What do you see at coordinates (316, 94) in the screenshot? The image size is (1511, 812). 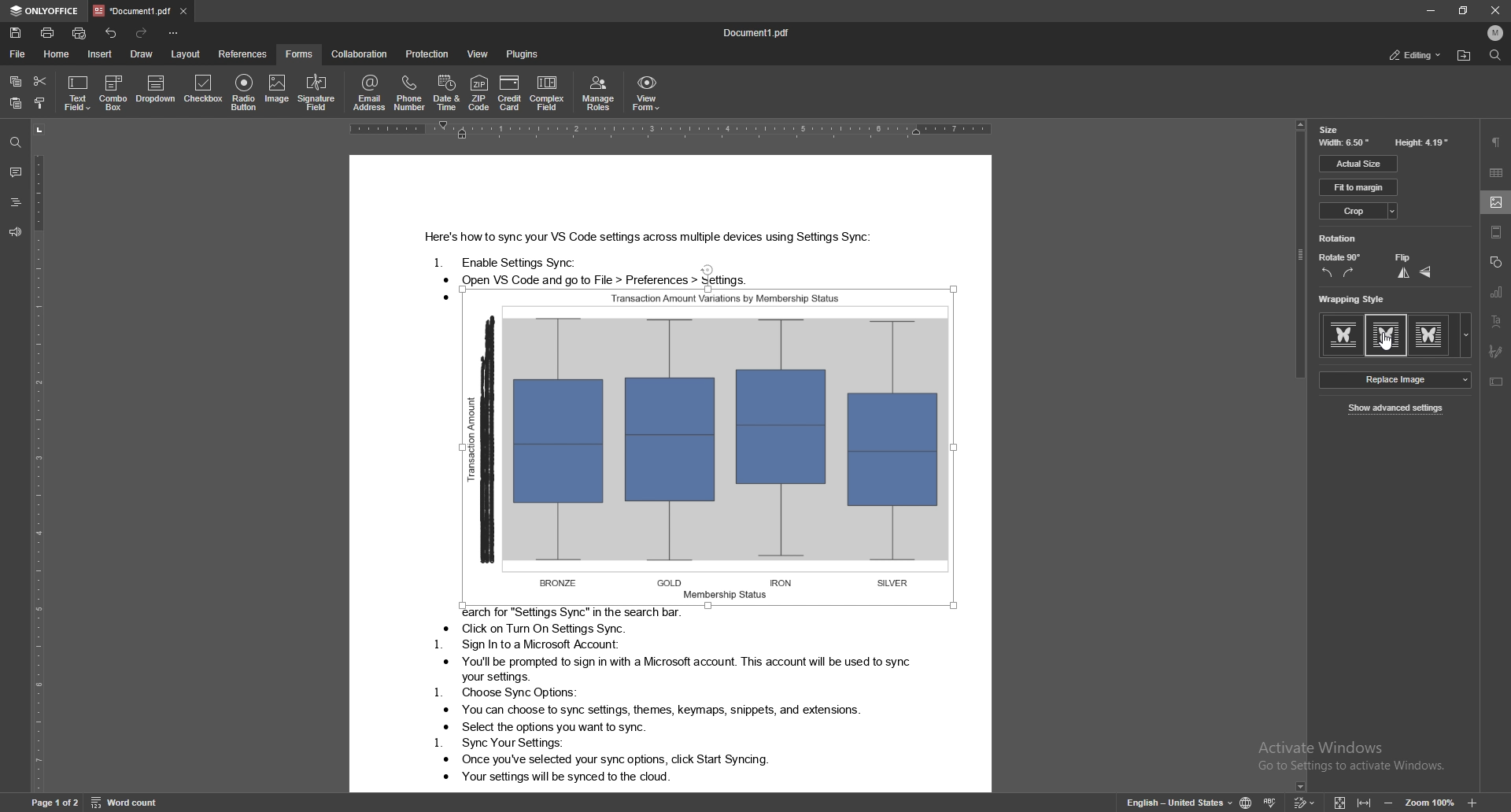 I see `signature field` at bounding box center [316, 94].